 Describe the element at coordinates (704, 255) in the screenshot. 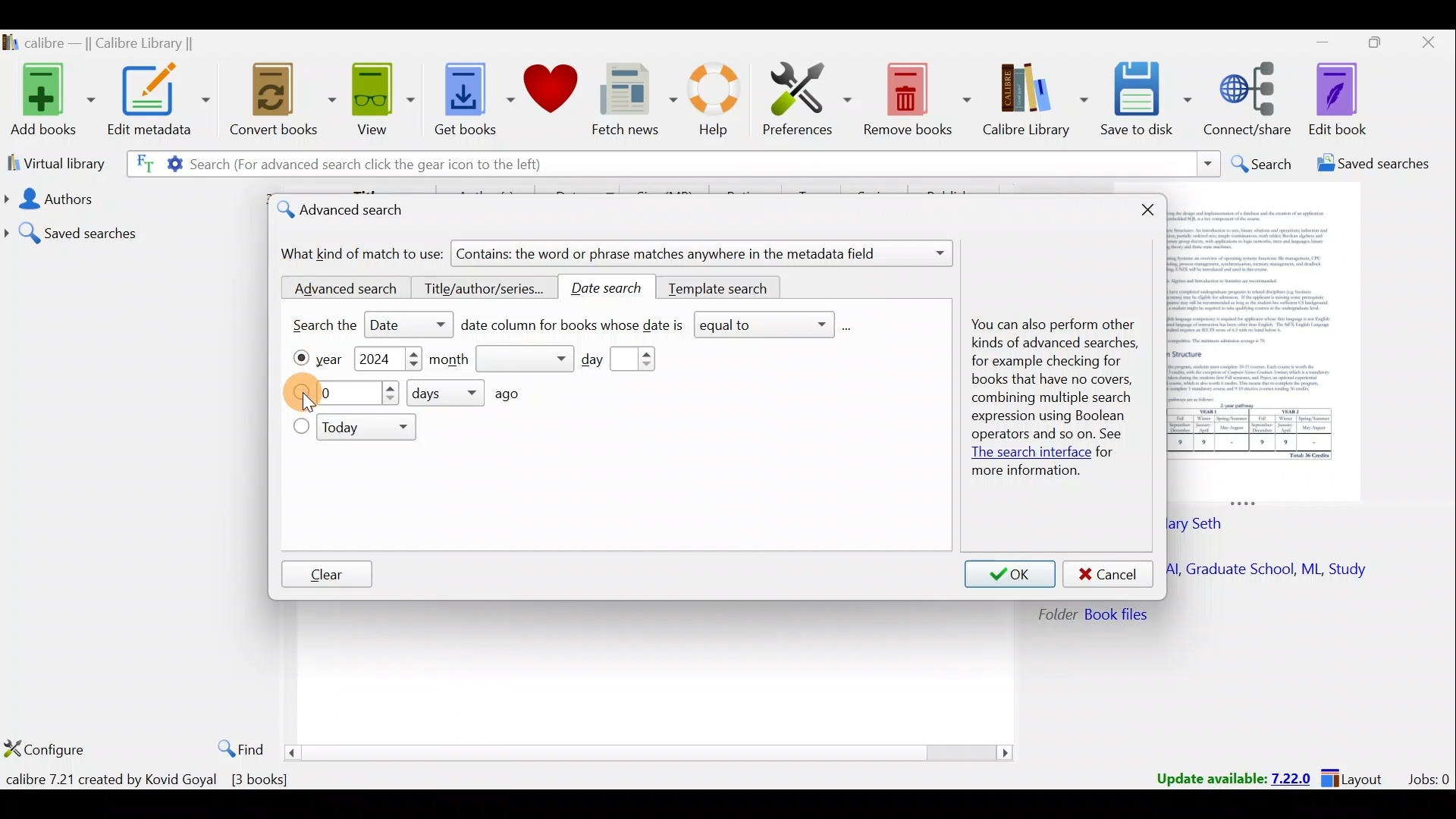

I see `Contains: the word or phrase matches anywhere in the metadata field` at that location.